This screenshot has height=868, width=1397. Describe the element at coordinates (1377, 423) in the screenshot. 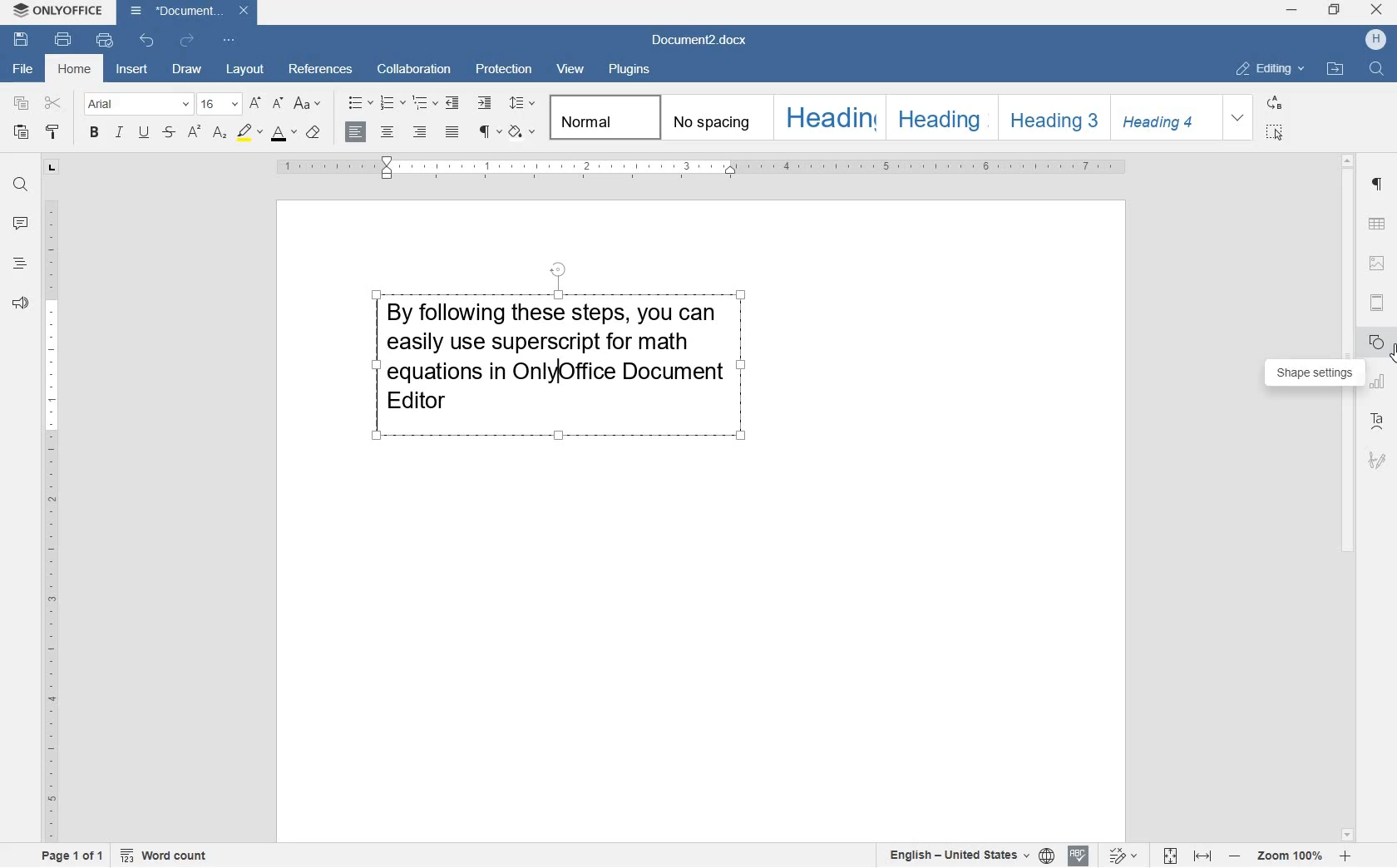

I see `text art` at that location.